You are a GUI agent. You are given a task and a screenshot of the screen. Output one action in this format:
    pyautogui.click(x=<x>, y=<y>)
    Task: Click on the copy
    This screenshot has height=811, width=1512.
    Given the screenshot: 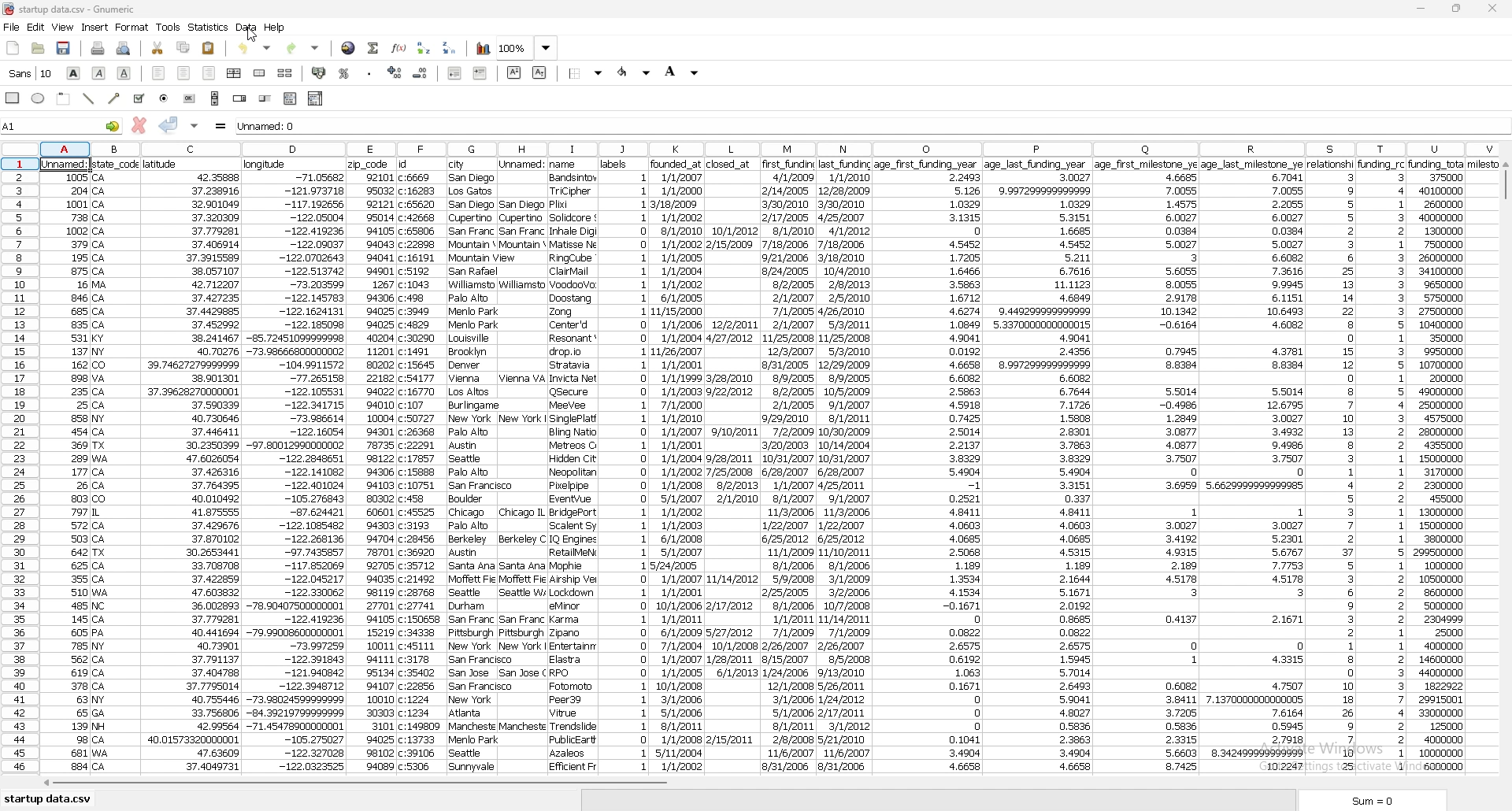 What is the action you would take?
    pyautogui.click(x=183, y=48)
    